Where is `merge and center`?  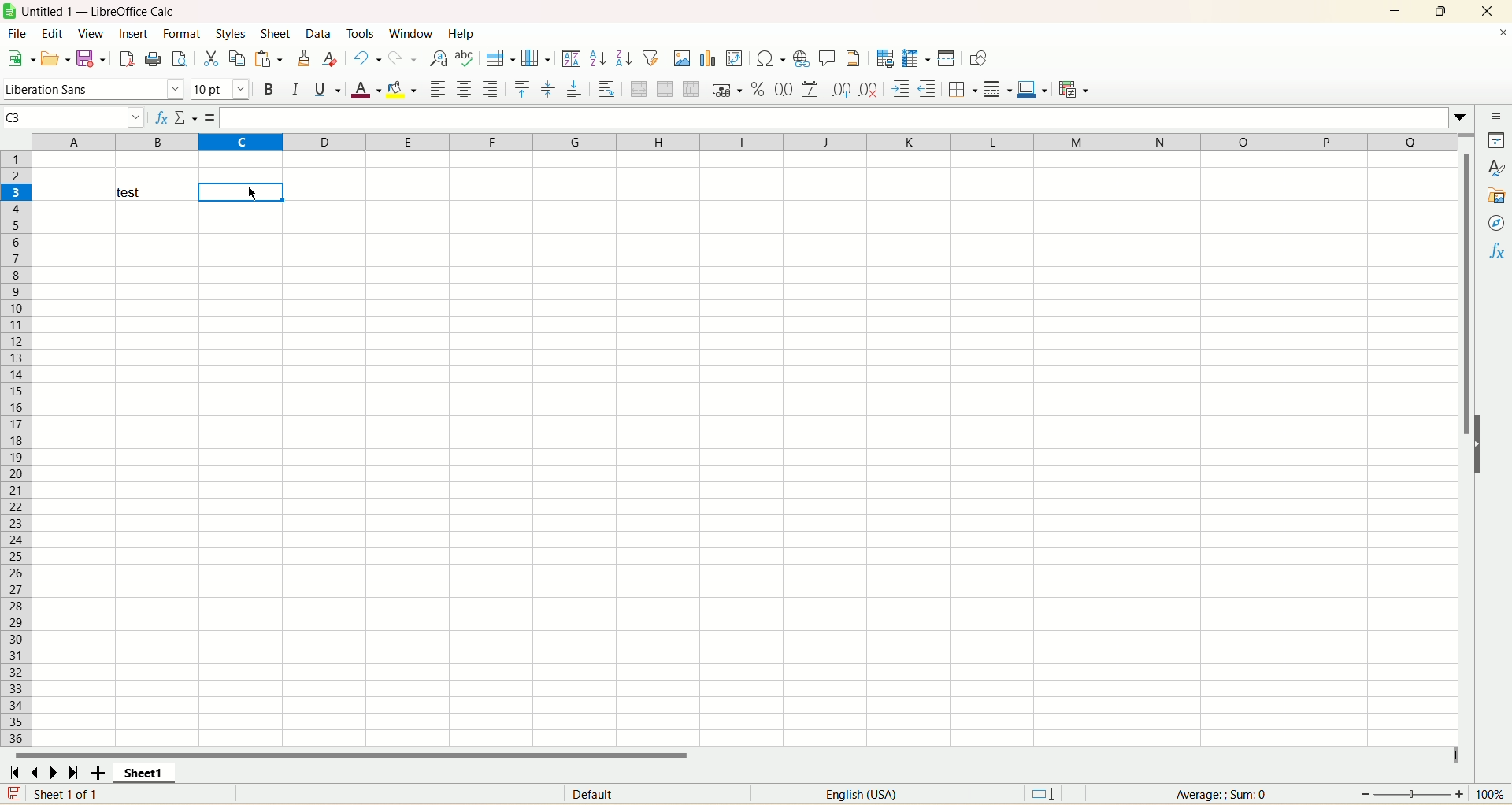 merge and center is located at coordinates (639, 89).